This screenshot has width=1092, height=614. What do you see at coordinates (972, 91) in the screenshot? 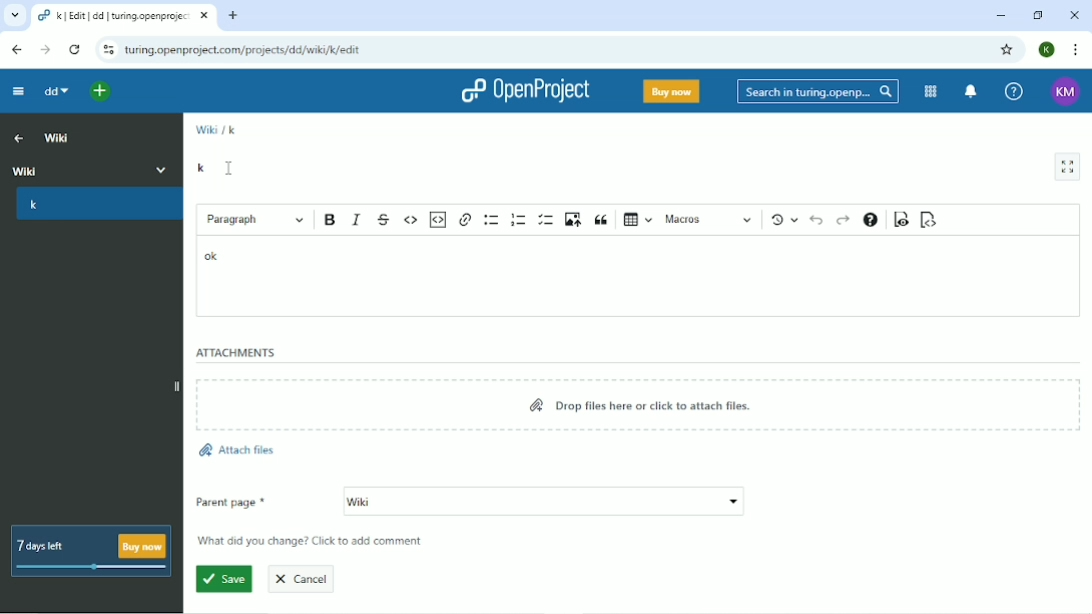
I see `To notification center` at bounding box center [972, 91].